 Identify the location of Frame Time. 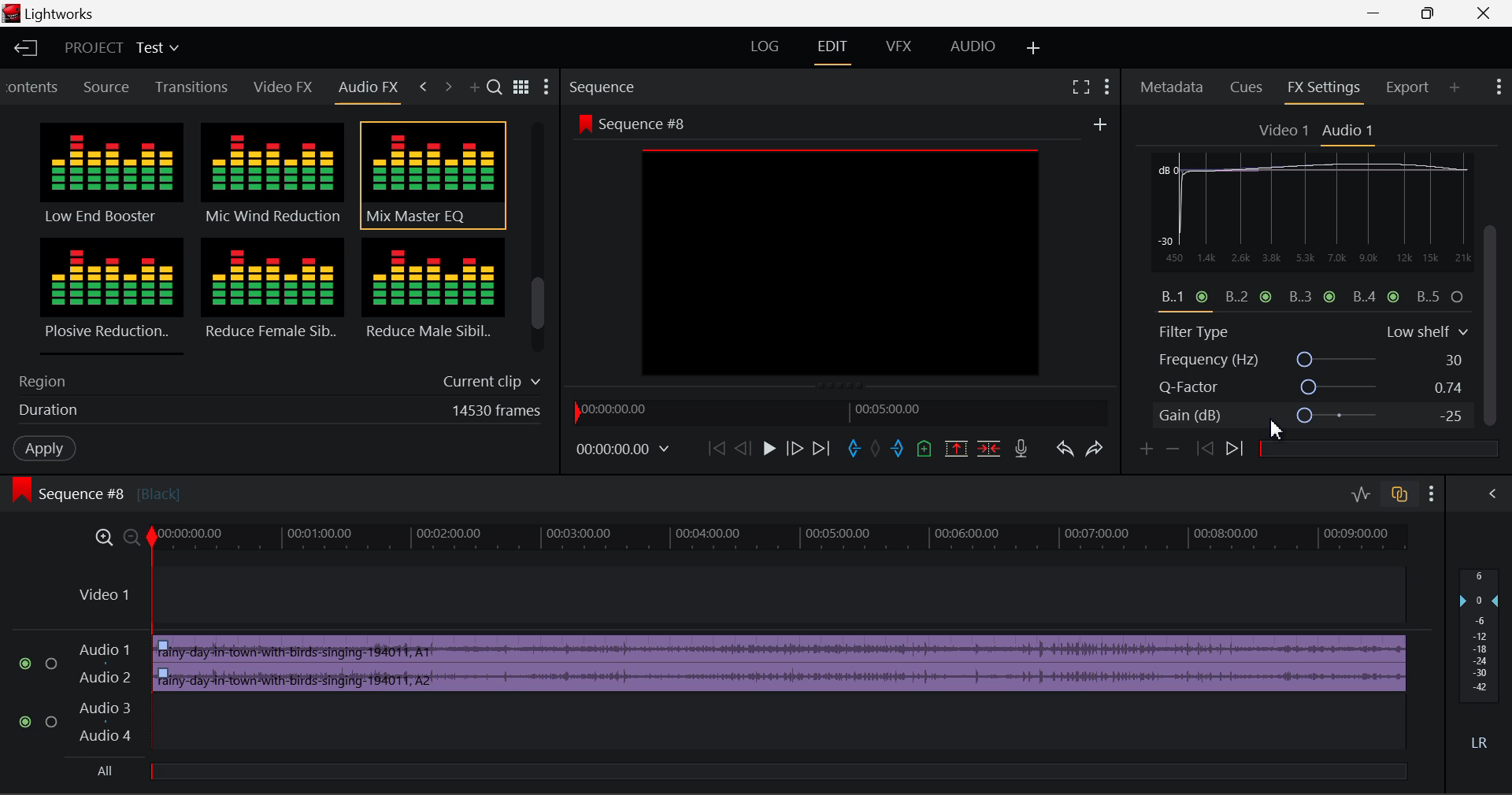
(621, 449).